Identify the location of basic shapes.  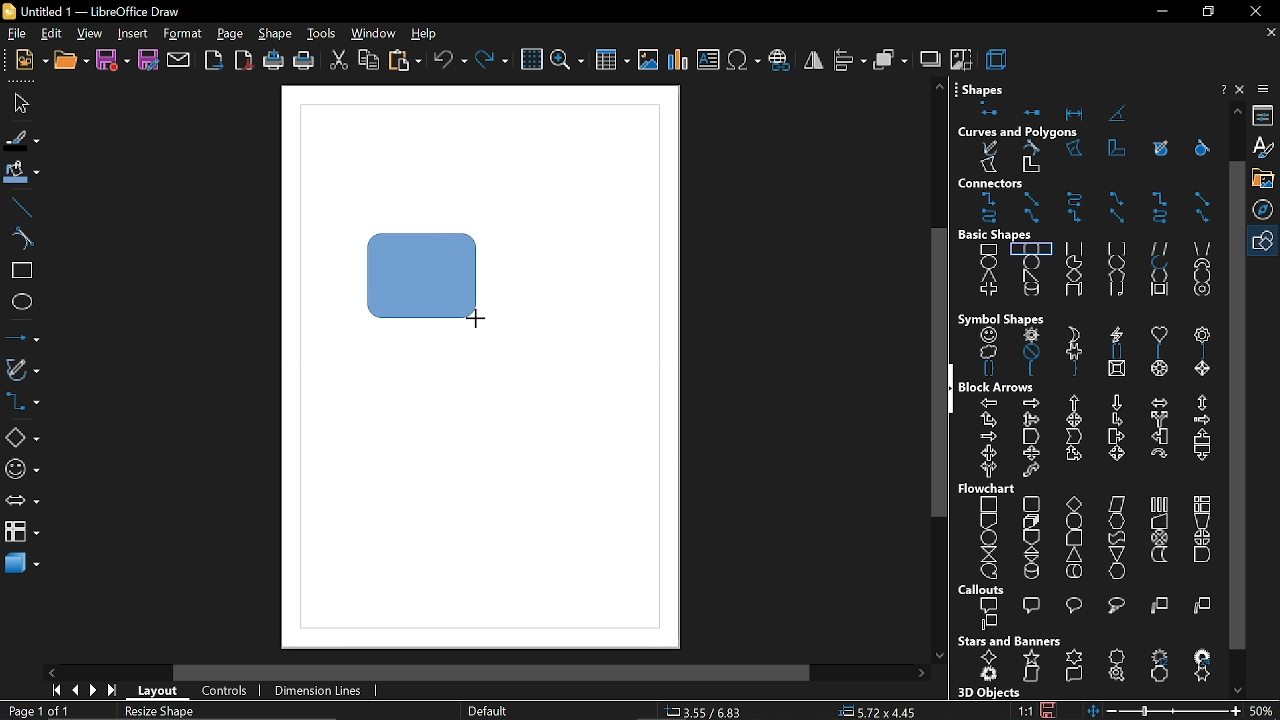
(1007, 235).